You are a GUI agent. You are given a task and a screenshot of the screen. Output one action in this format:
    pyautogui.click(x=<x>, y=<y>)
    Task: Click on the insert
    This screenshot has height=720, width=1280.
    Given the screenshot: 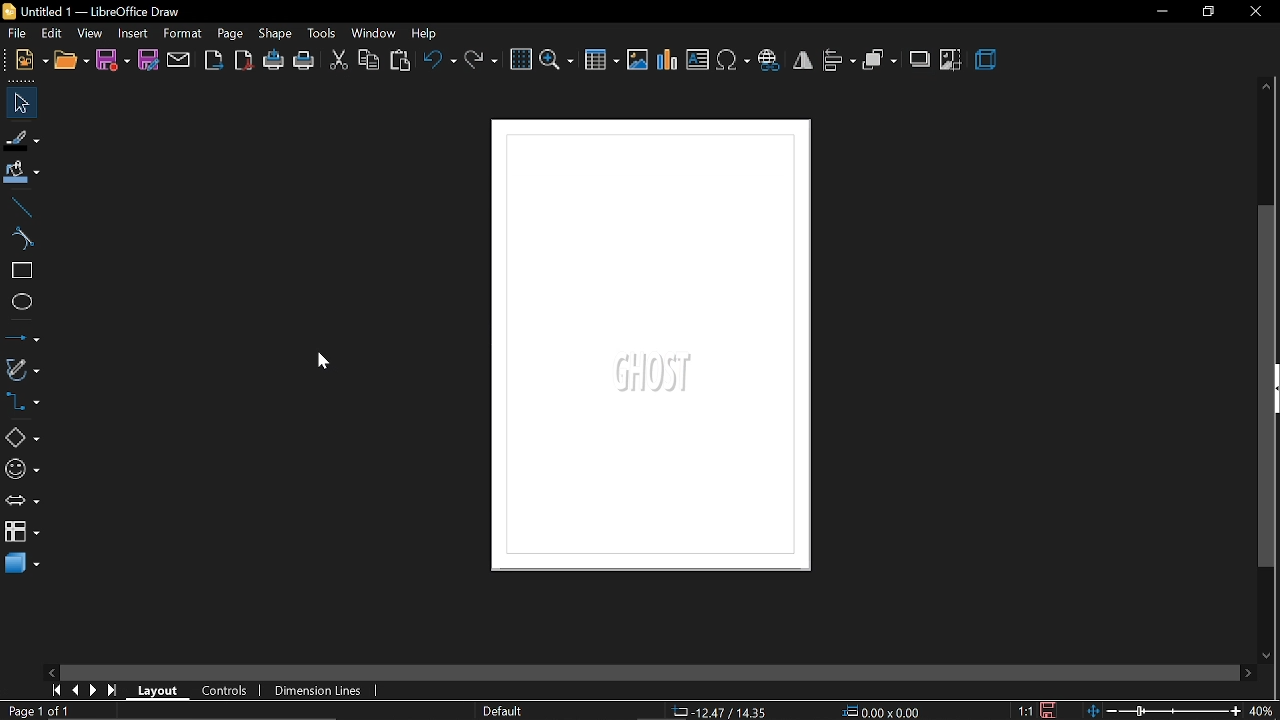 What is the action you would take?
    pyautogui.click(x=133, y=35)
    